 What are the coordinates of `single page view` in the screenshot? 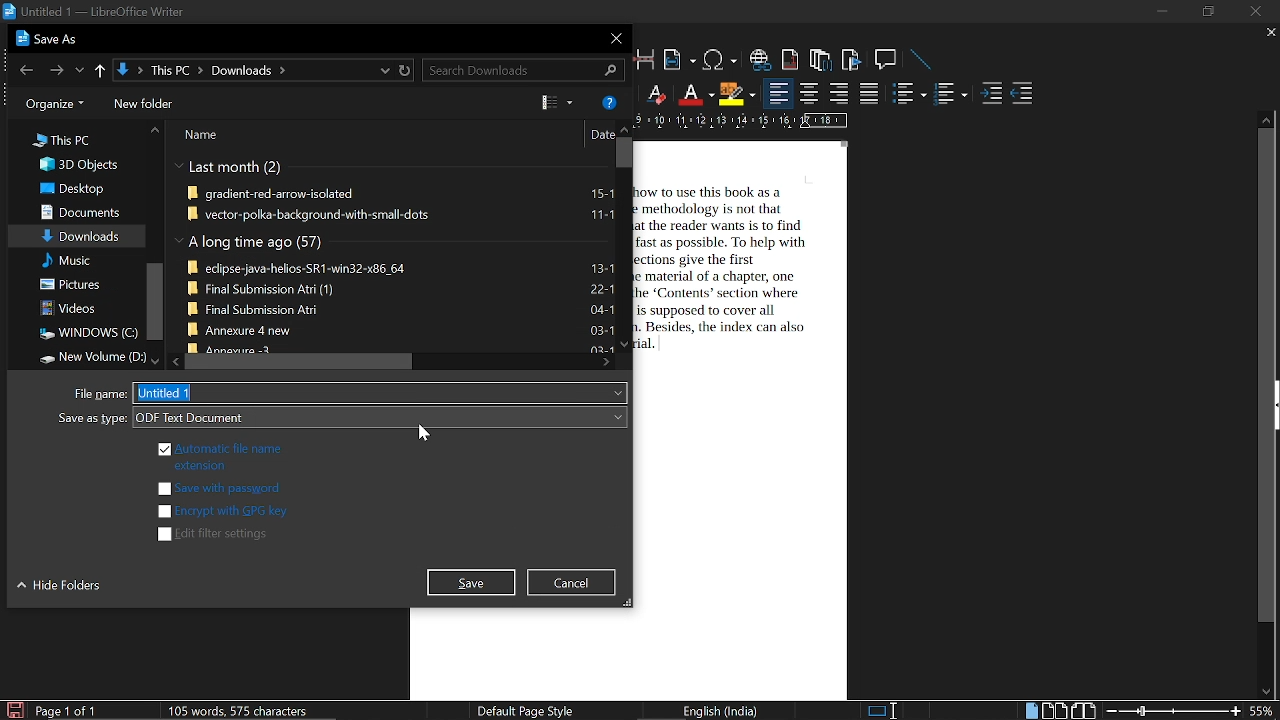 It's located at (1030, 710).